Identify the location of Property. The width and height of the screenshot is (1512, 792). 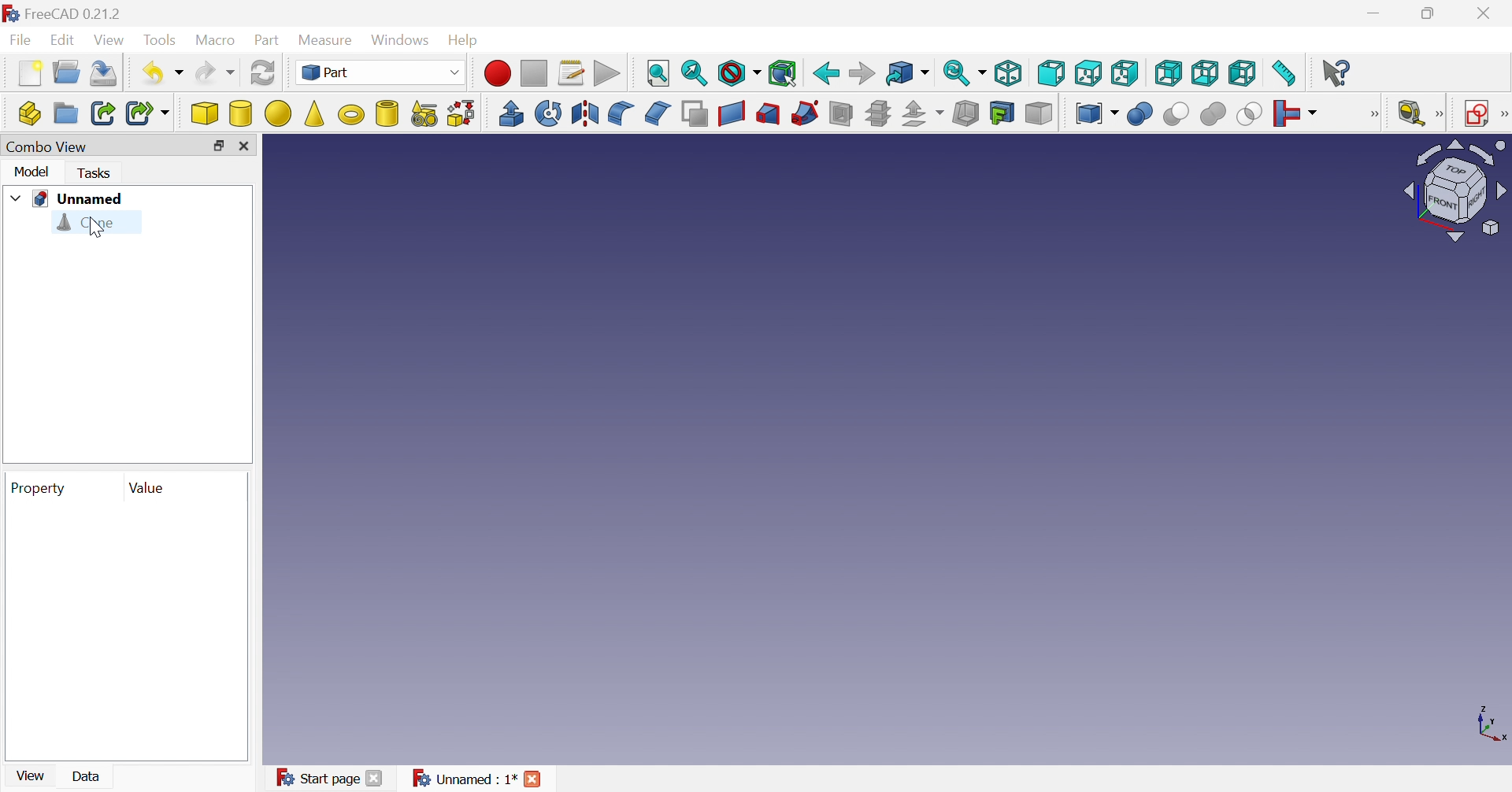
(39, 490).